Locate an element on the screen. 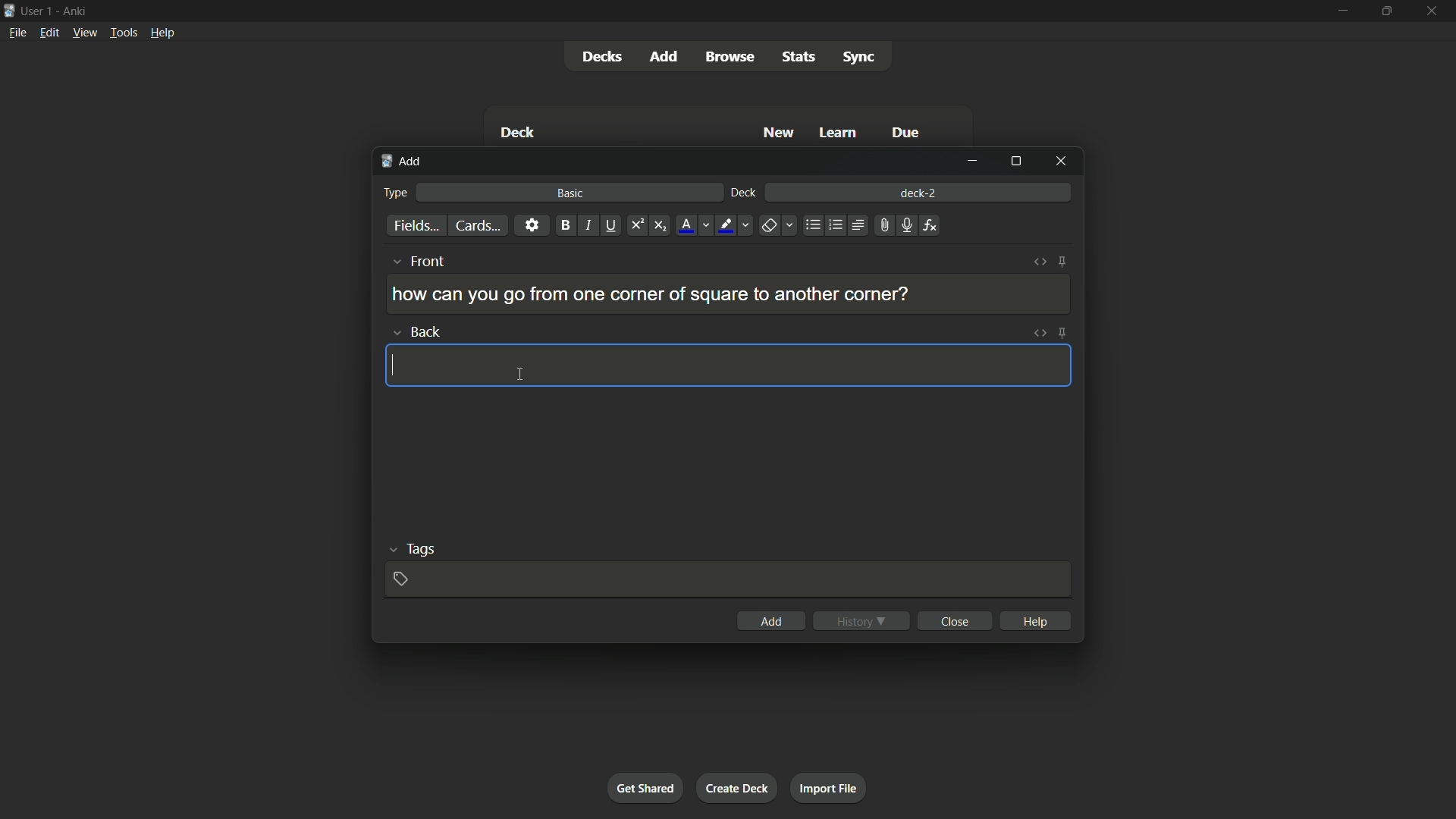 This screenshot has width=1456, height=819. deck is located at coordinates (745, 193).